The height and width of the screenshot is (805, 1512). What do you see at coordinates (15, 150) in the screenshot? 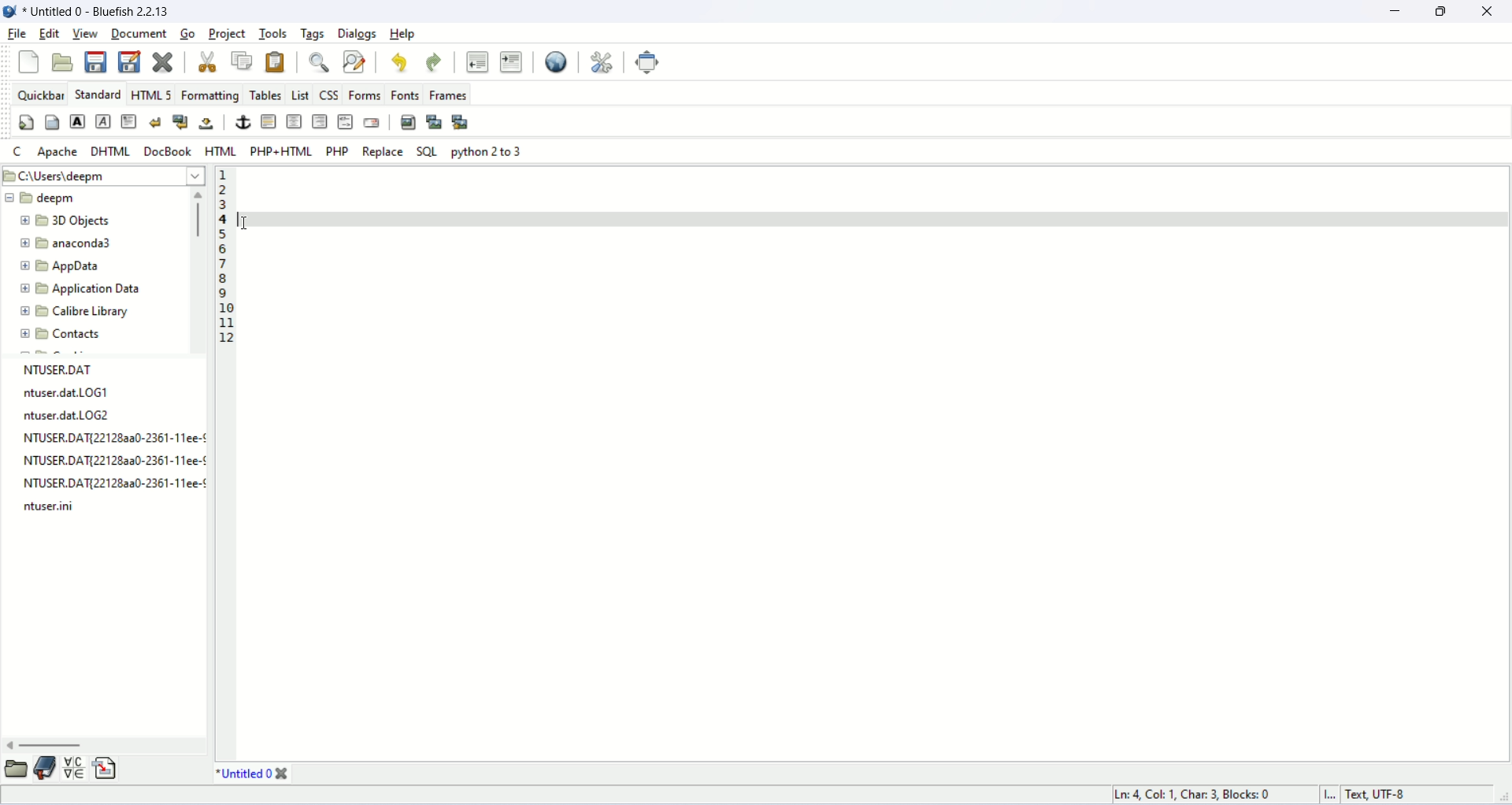
I see `c` at bounding box center [15, 150].